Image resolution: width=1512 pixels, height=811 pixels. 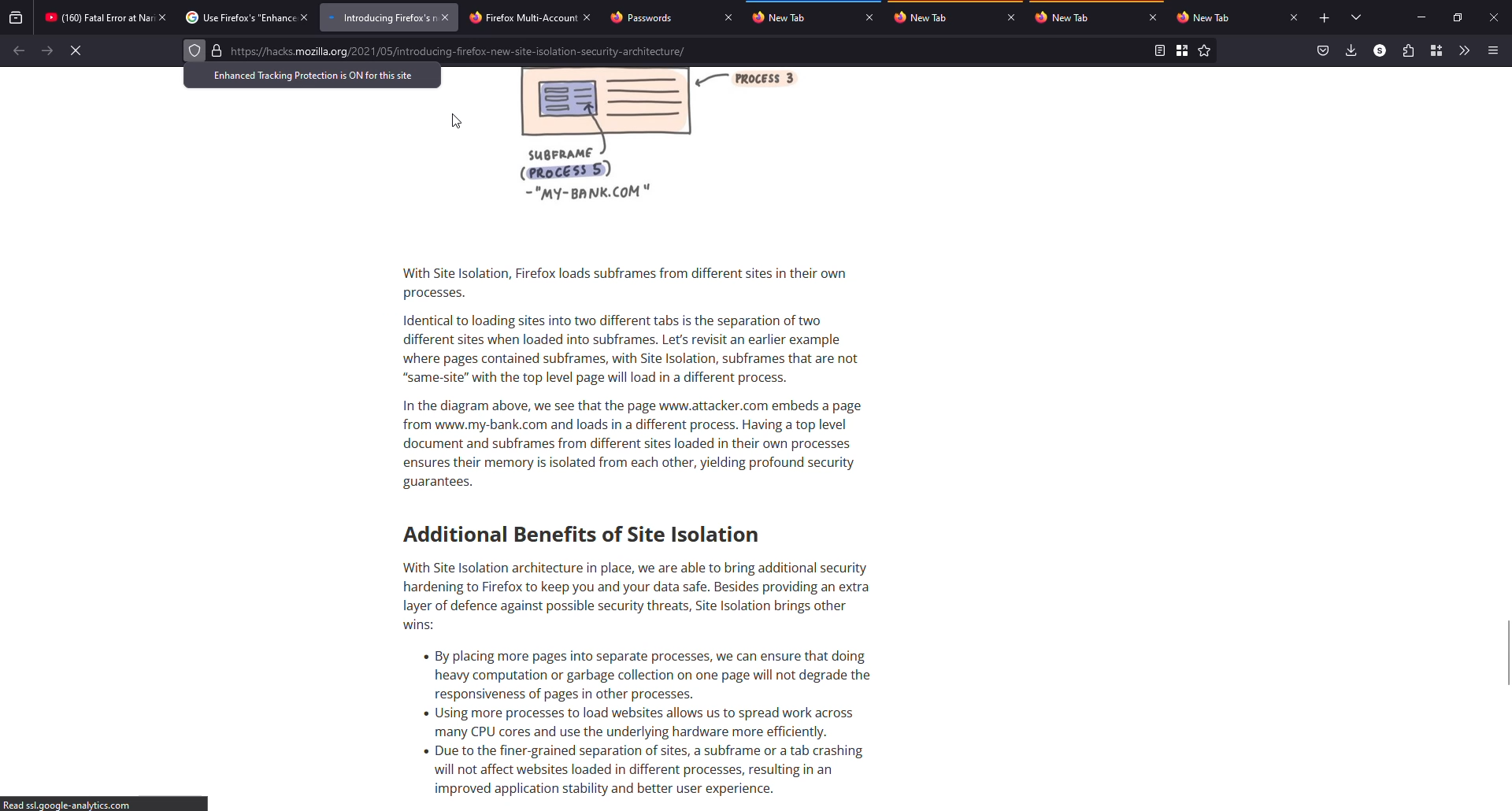 I want to click on favorites, so click(x=1205, y=51).